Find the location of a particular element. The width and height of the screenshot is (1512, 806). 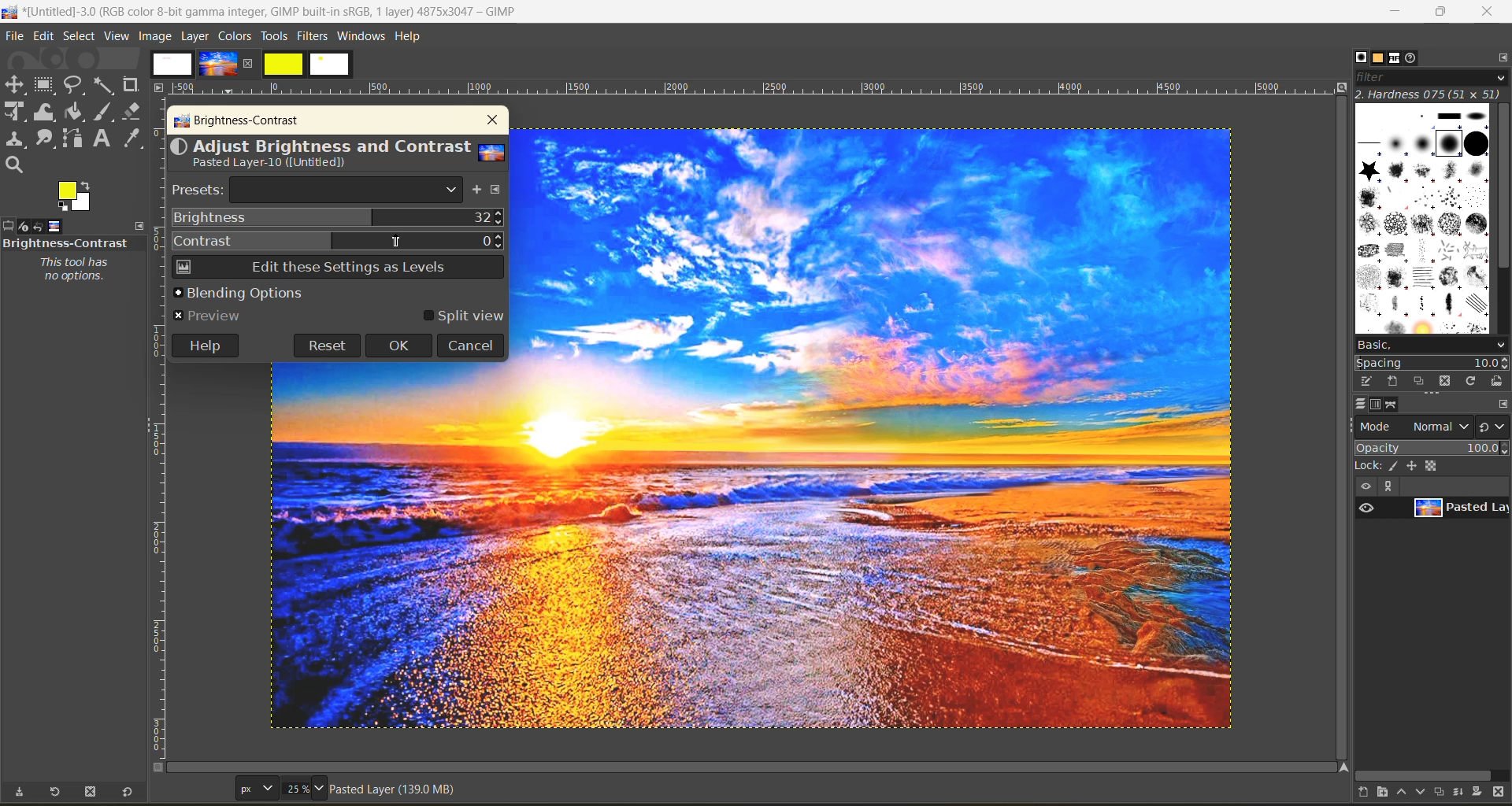

This tool has no options is located at coordinates (72, 270).